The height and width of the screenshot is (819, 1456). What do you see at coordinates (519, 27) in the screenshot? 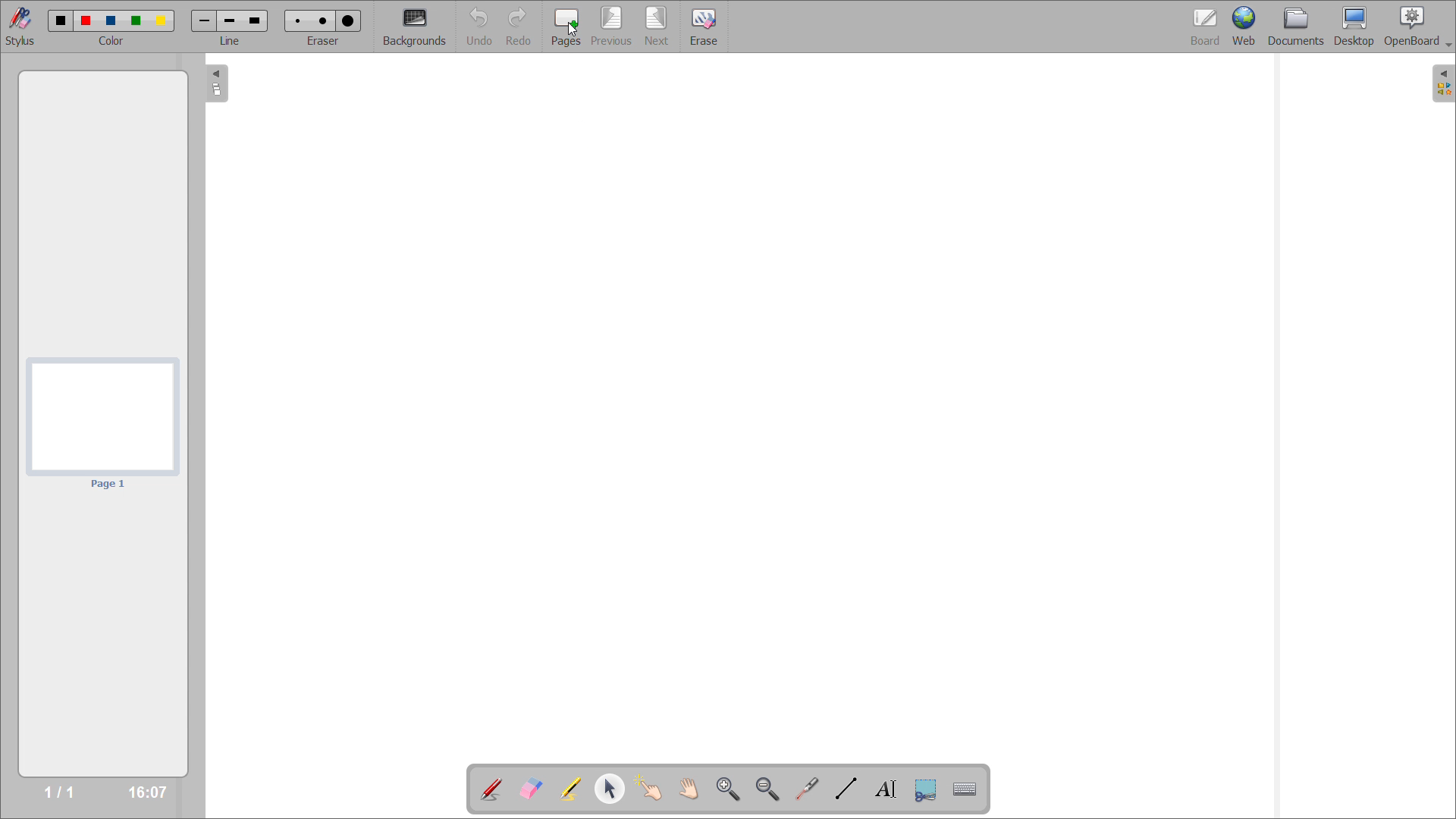
I see `redo` at bounding box center [519, 27].